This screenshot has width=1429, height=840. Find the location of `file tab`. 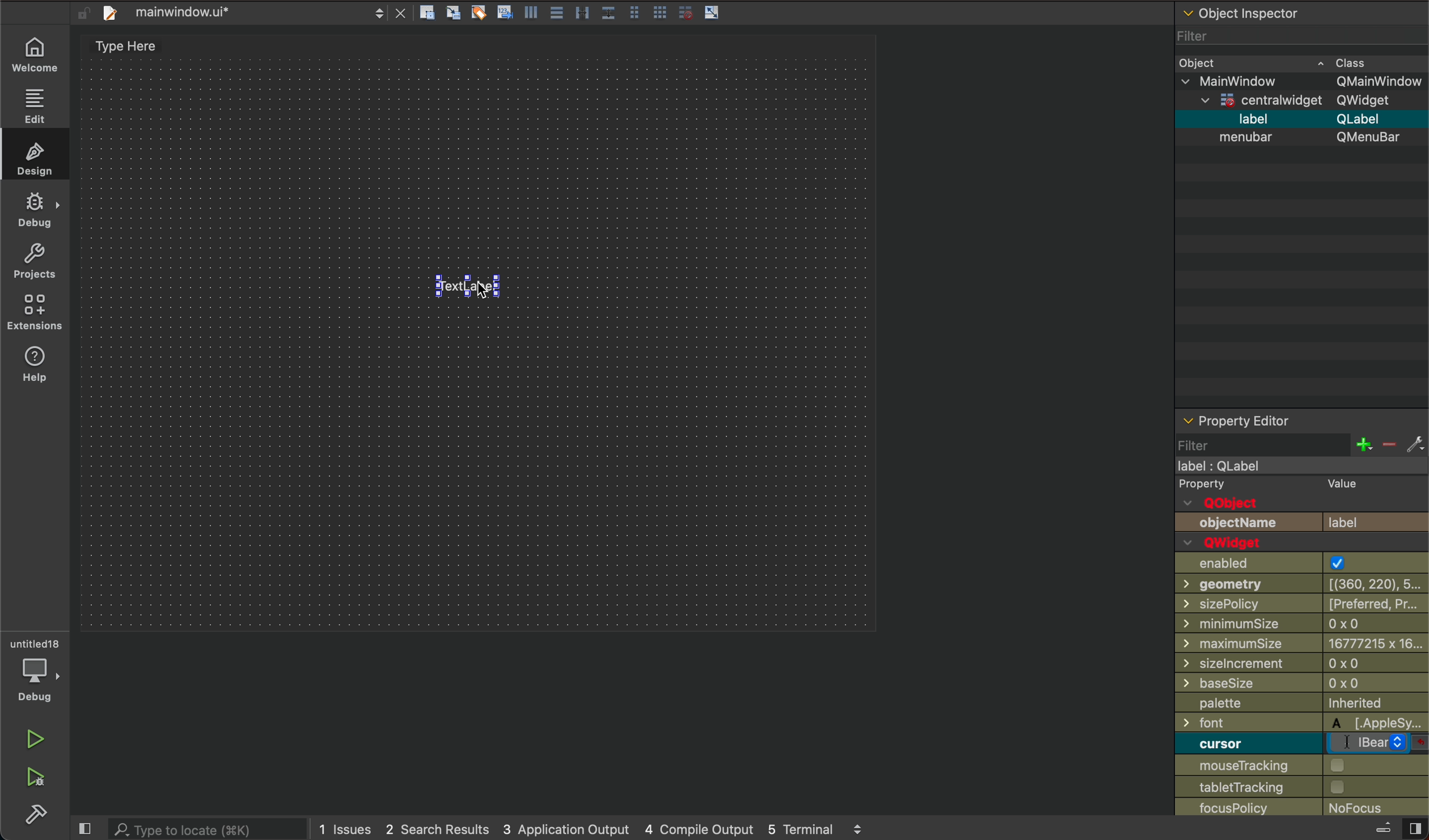

file tab is located at coordinates (235, 13).